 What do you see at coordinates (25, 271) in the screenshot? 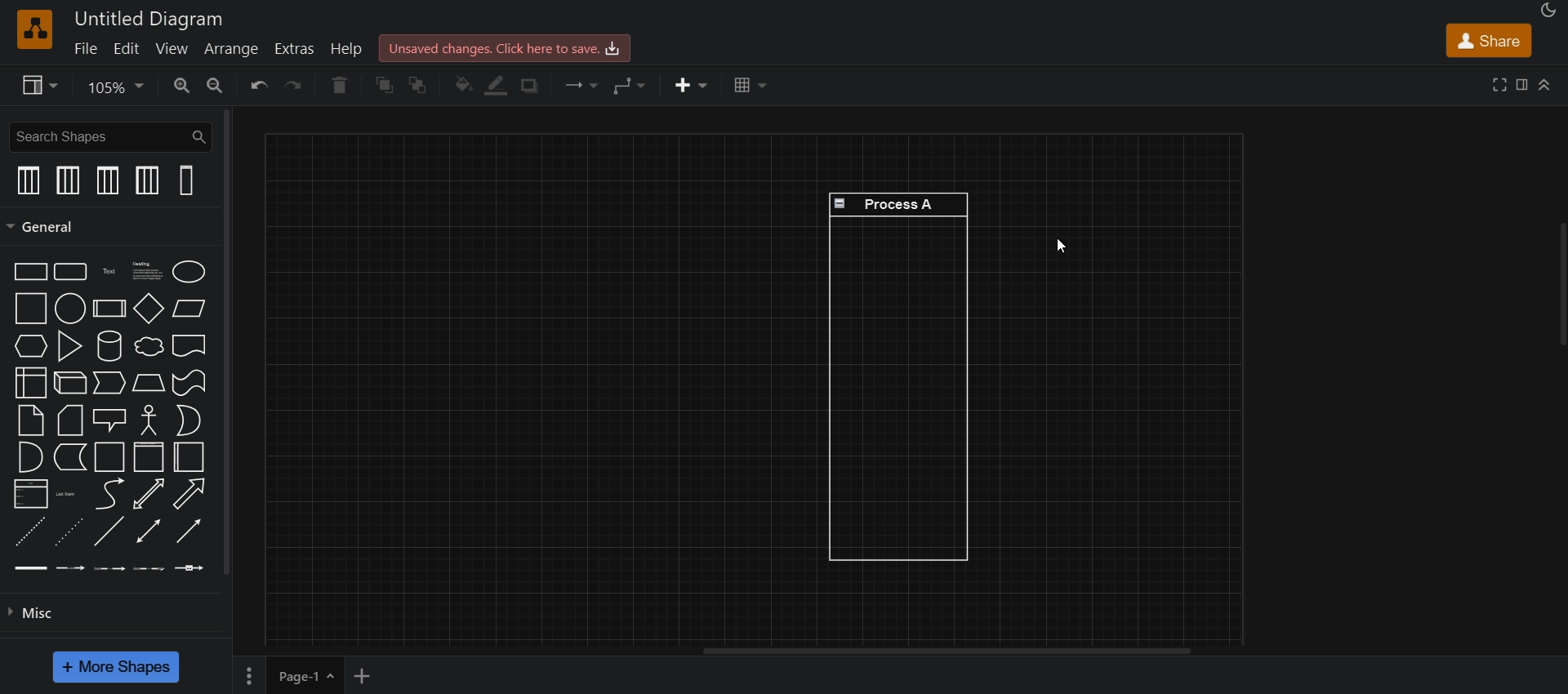
I see `rectangle` at bounding box center [25, 271].